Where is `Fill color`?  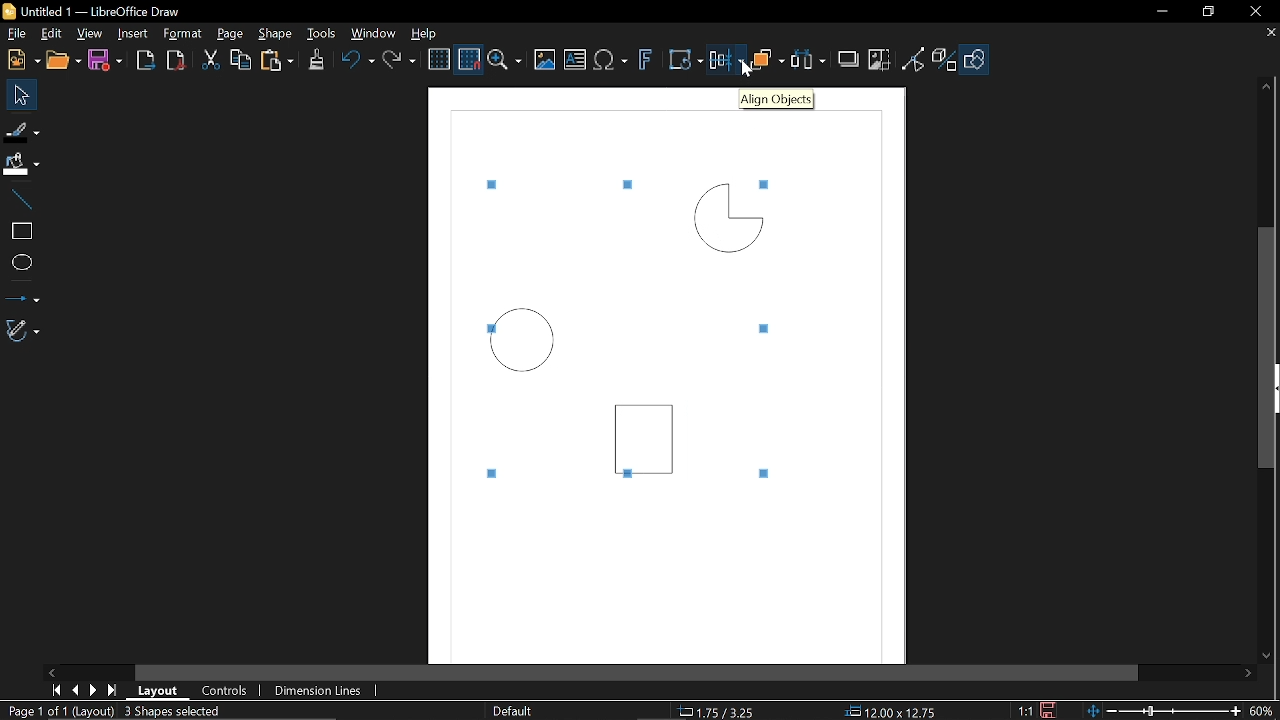
Fill color is located at coordinates (21, 163).